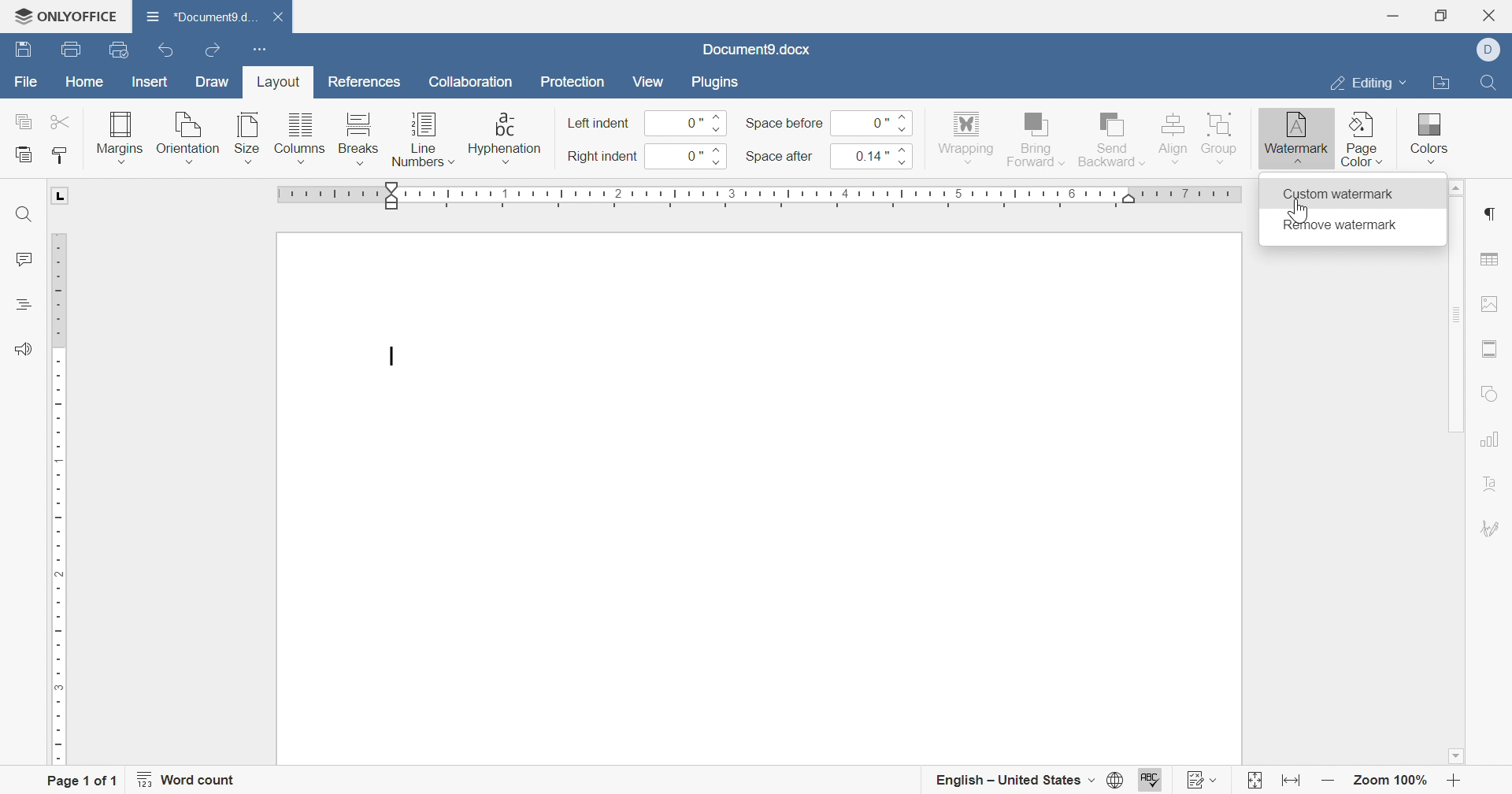 Image resolution: width=1512 pixels, height=794 pixels. I want to click on table settings, so click(1489, 261).